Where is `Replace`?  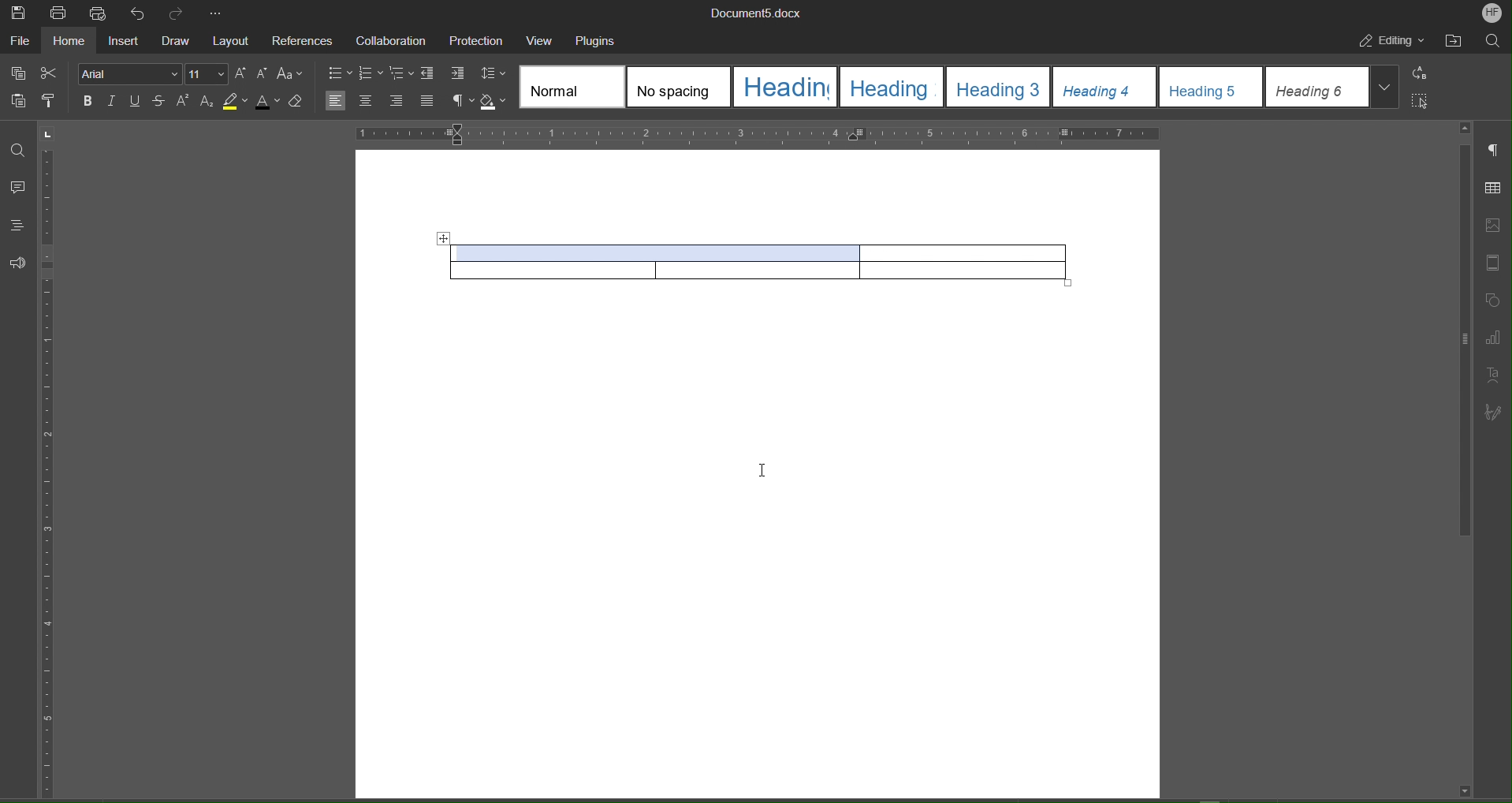
Replace is located at coordinates (1424, 73).